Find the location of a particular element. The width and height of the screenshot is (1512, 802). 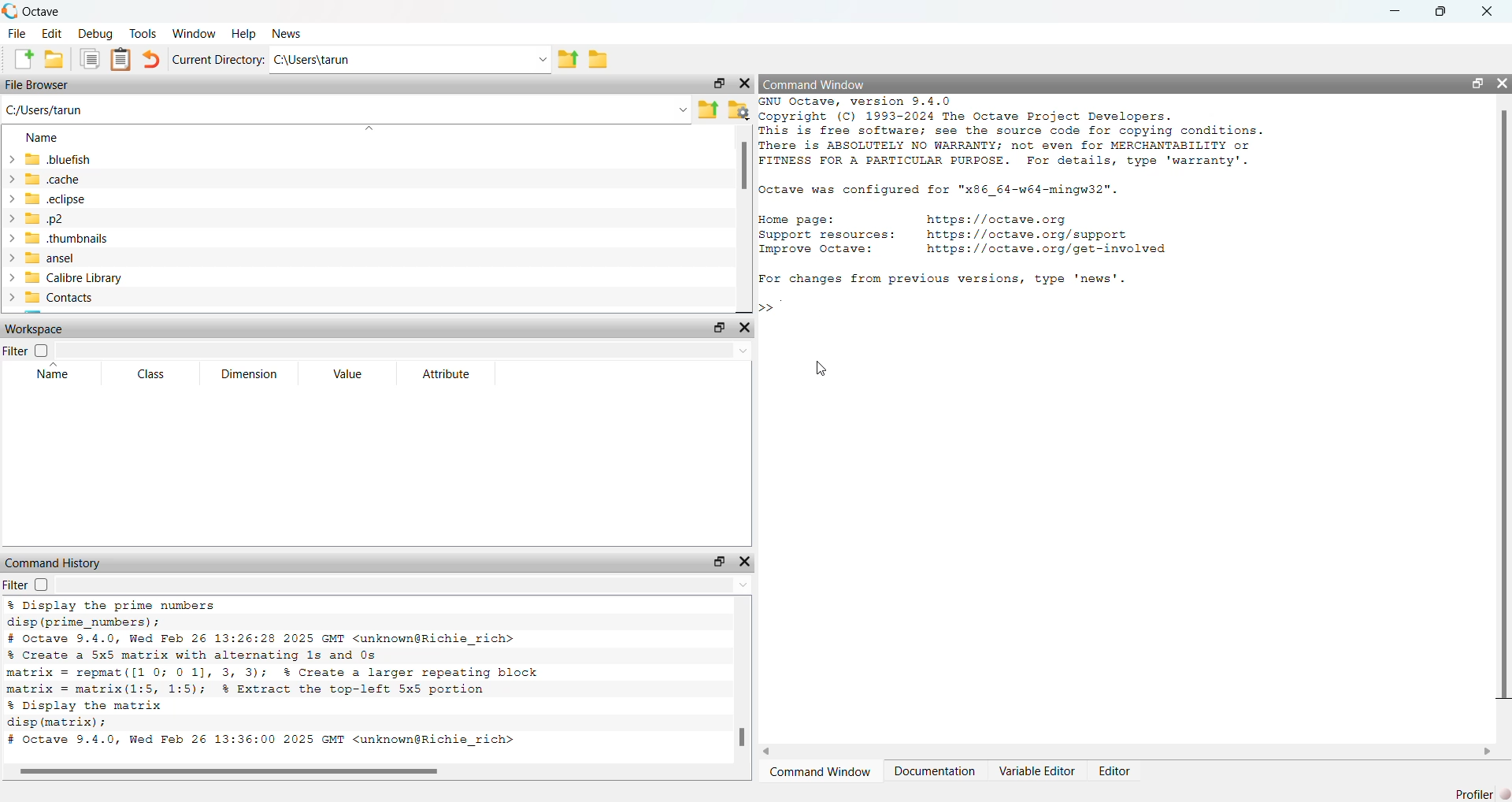

documentation is located at coordinates (934, 772).